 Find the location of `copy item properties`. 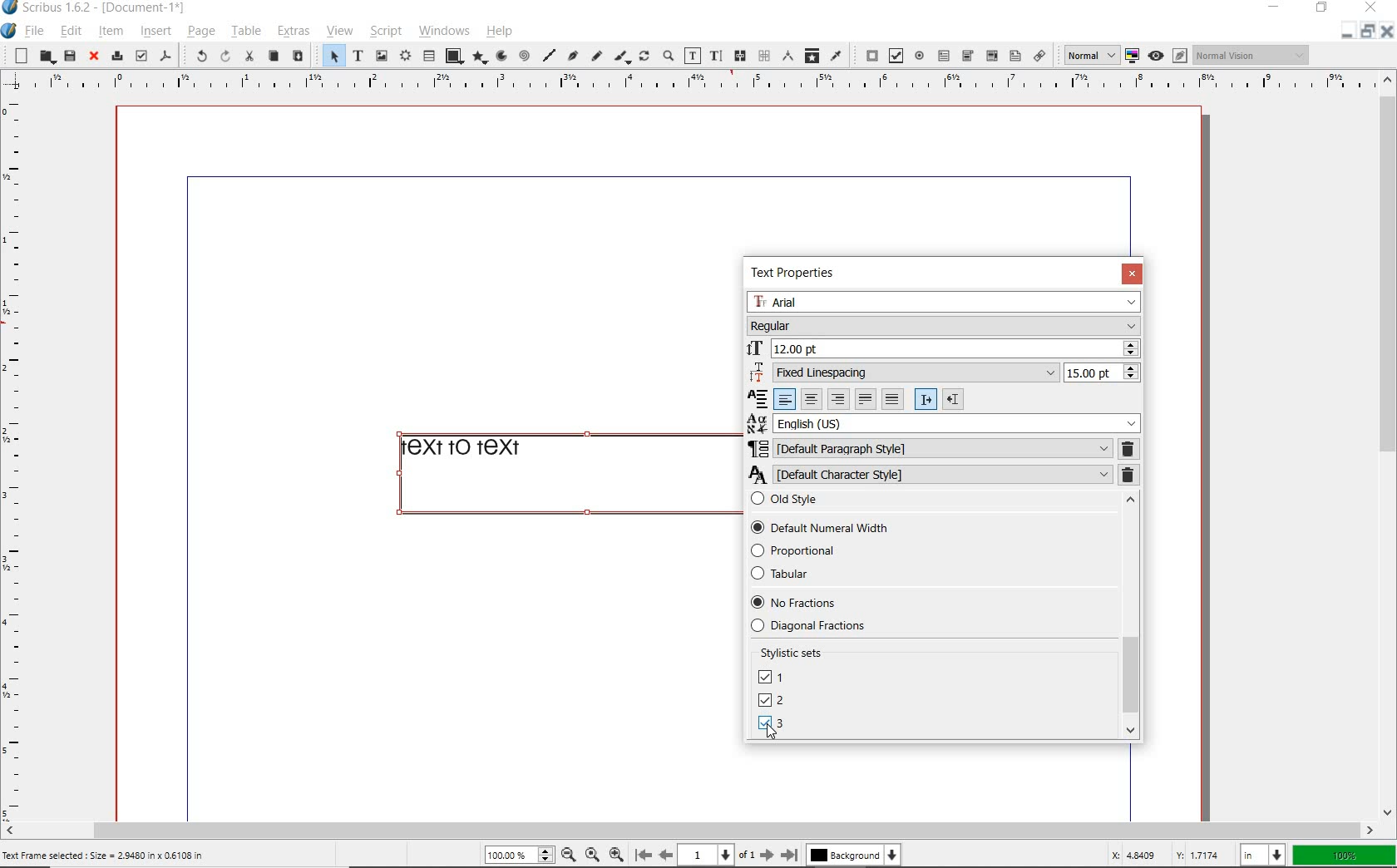

copy item properties is located at coordinates (812, 55).